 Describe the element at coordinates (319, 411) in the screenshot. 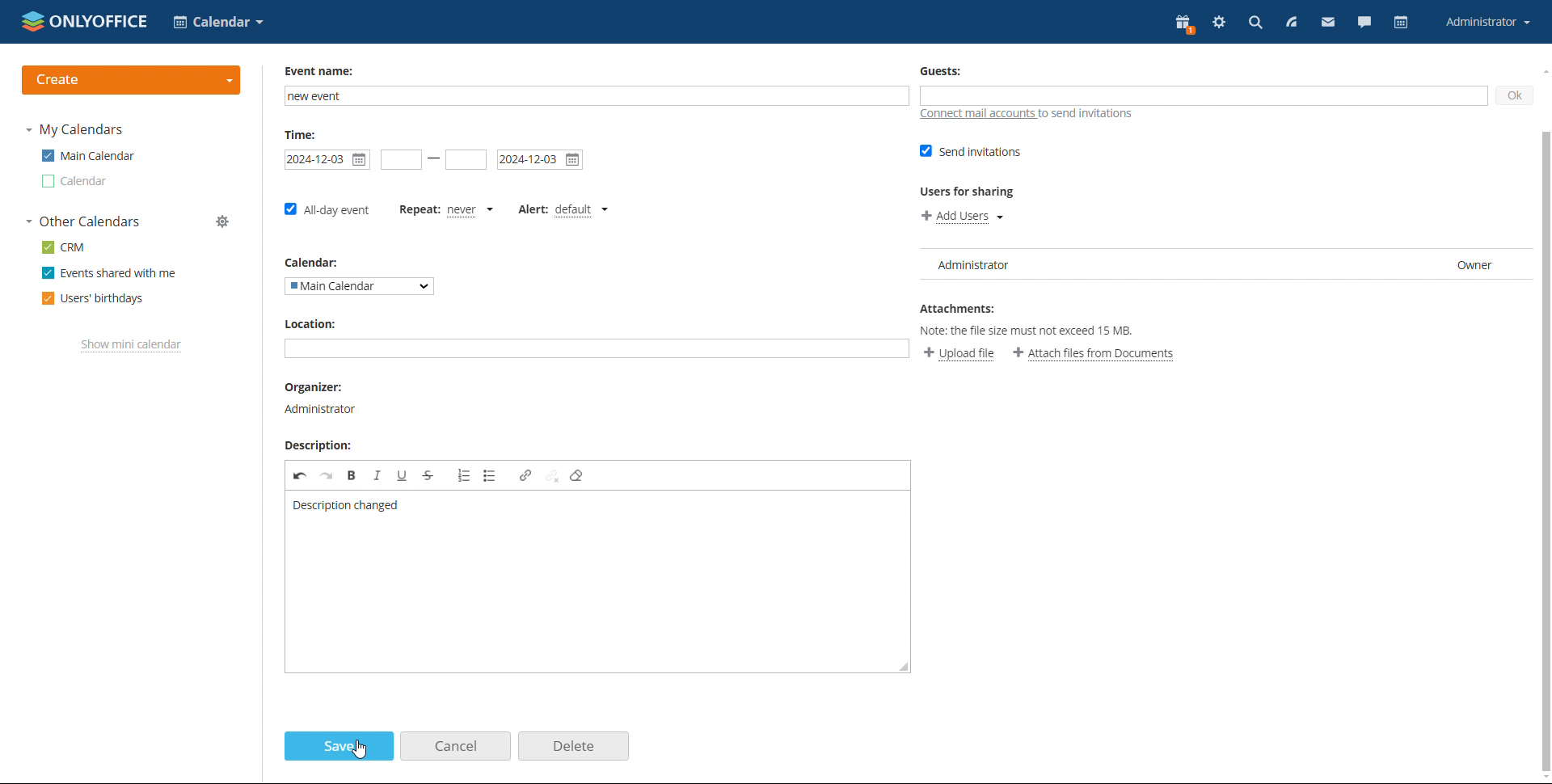

I see `organizer` at that location.